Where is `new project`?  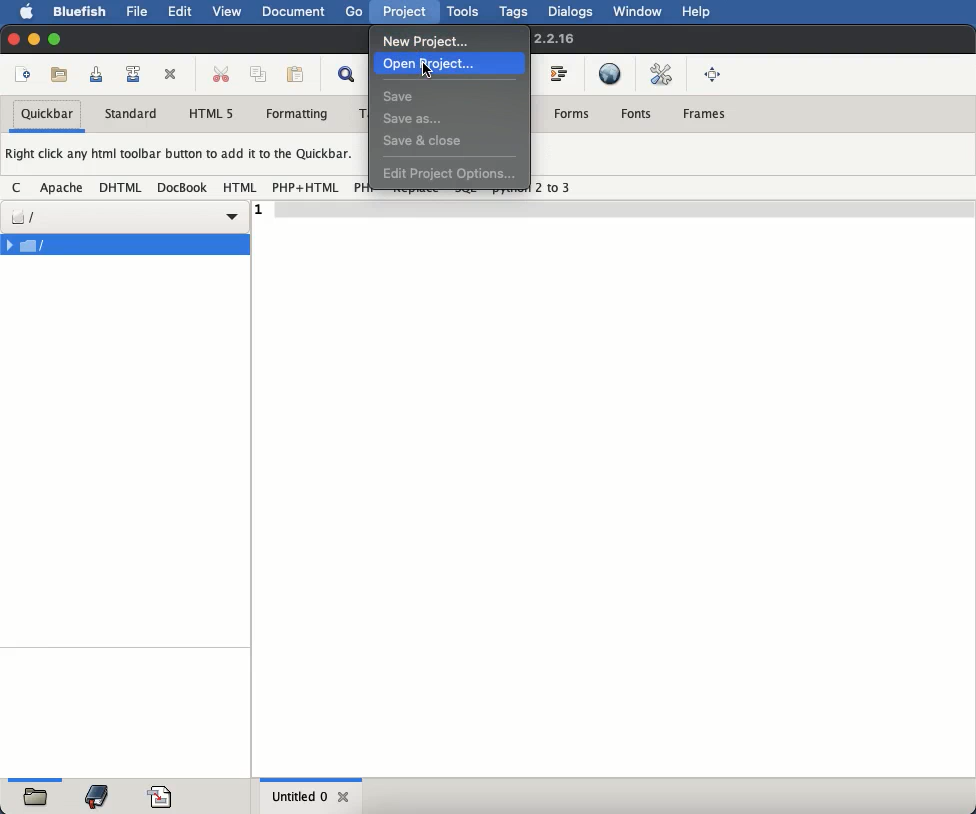
new project is located at coordinates (429, 40).